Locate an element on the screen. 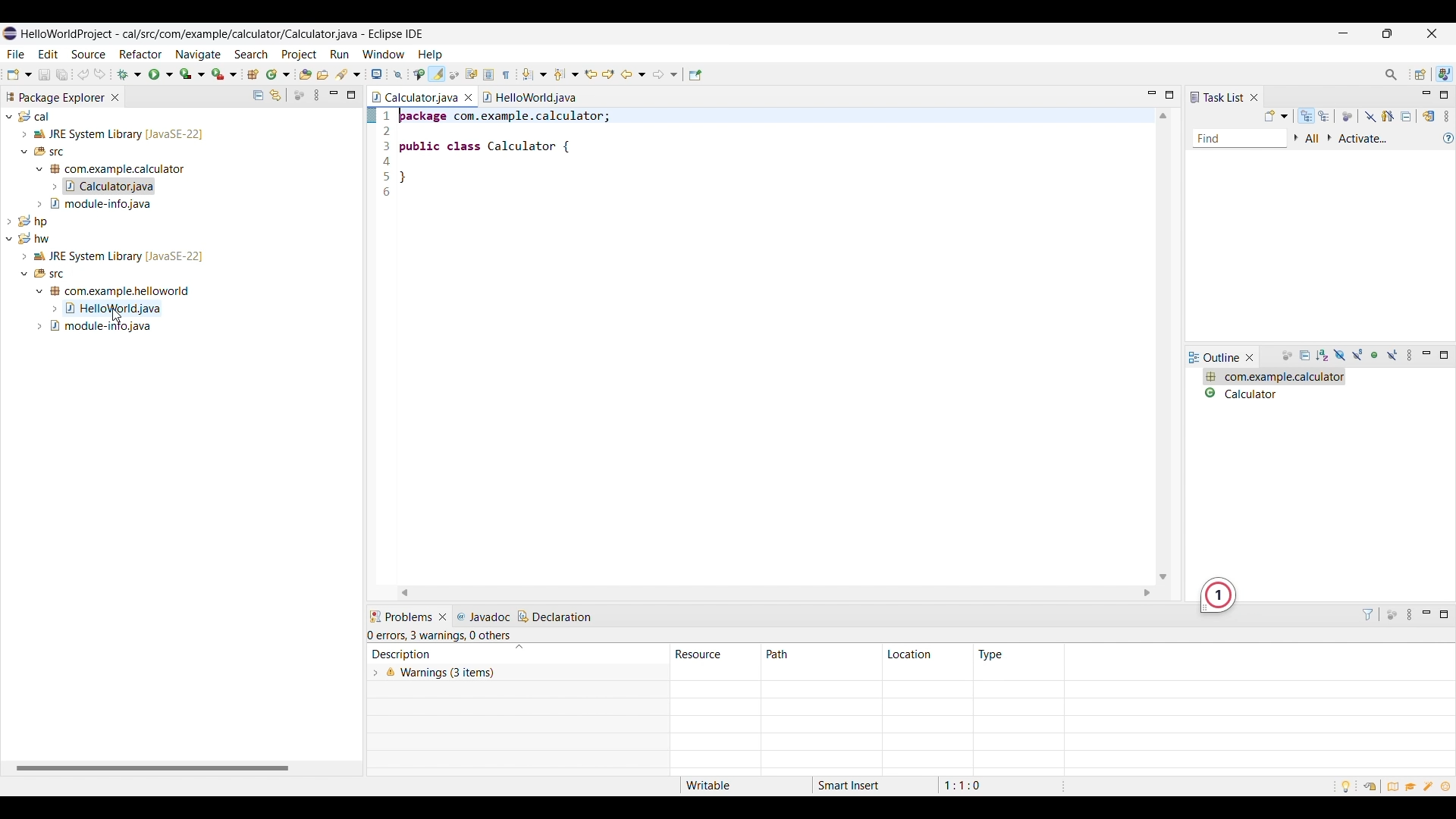 The width and height of the screenshot is (1456, 819). Maximize is located at coordinates (1169, 95).